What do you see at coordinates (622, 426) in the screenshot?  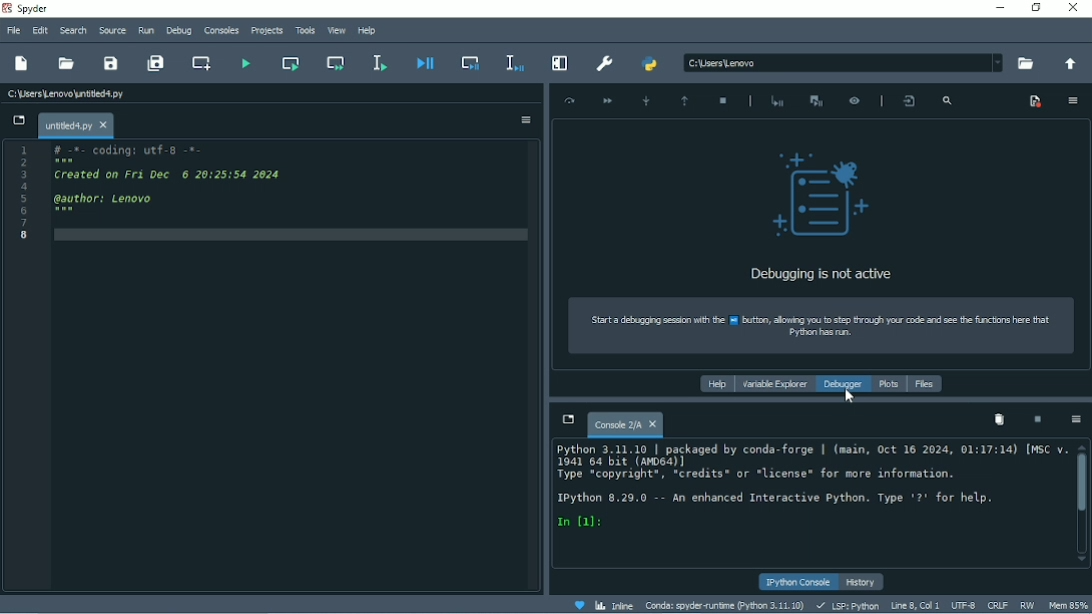 I see `Console` at bounding box center [622, 426].